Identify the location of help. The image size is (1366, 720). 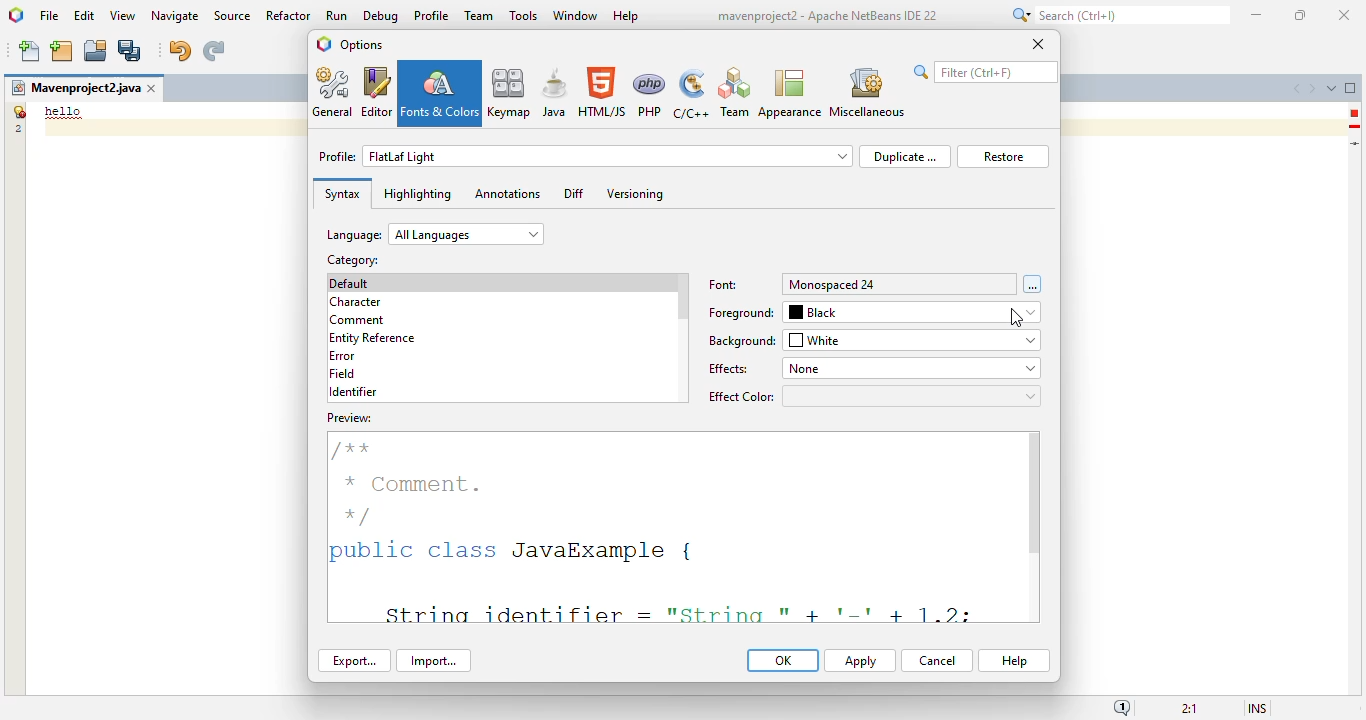
(1015, 661).